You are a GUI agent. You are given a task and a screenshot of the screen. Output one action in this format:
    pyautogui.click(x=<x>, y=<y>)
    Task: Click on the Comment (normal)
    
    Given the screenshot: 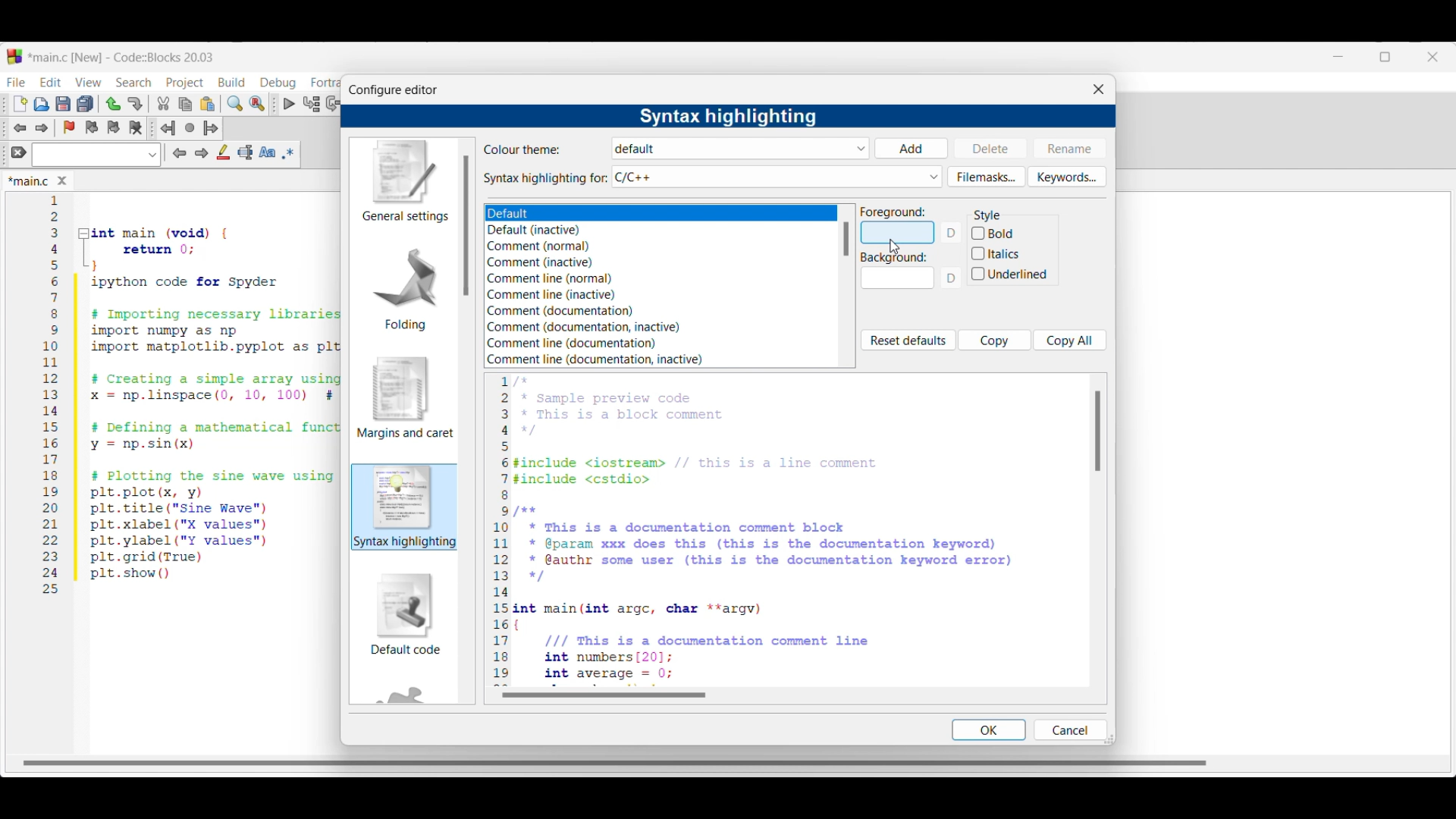 What is the action you would take?
    pyautogui.click(x=544, y=247)
    